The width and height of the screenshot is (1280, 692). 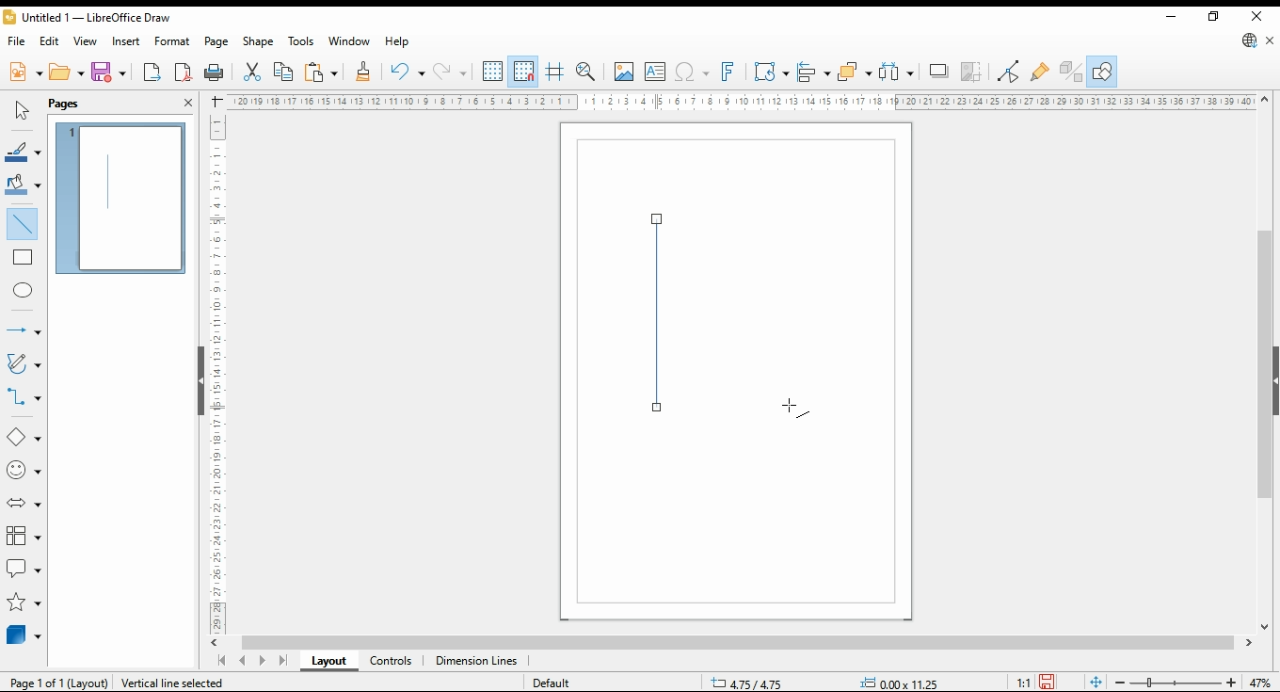 I want to click on zoom factor, so click(x=1262, y=683).